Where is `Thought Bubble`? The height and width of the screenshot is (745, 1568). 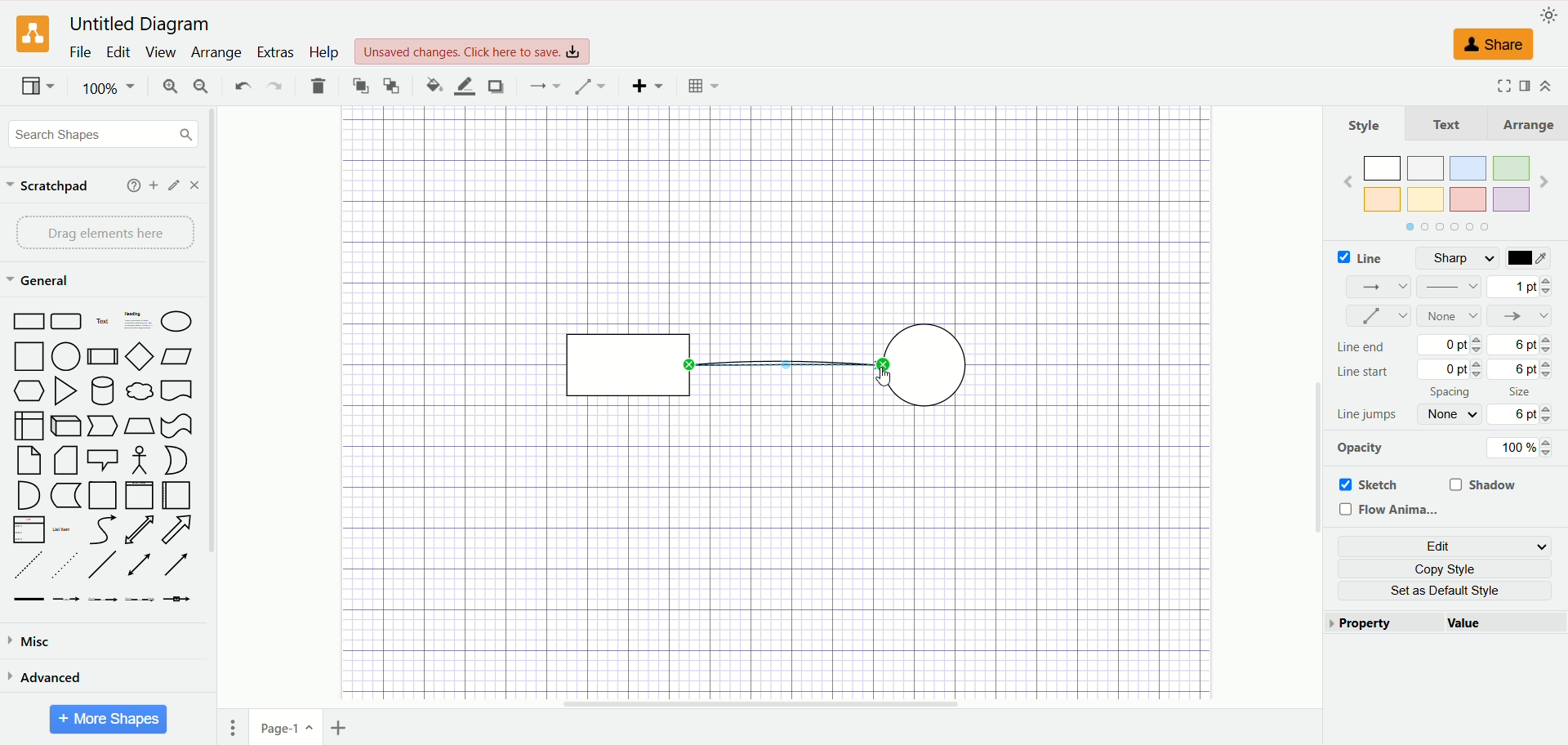
Thought Bubble is located at coordinates (141, 391).